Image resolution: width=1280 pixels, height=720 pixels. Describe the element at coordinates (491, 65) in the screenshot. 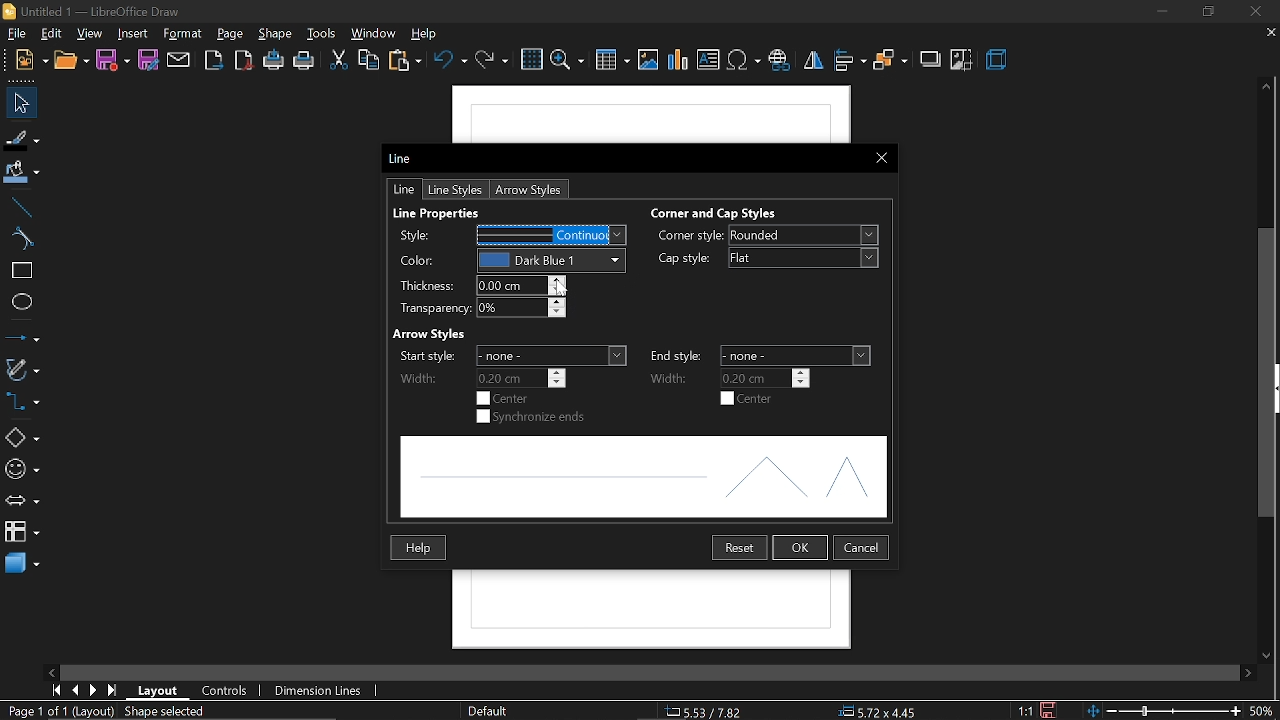

I see `redo` at that location.